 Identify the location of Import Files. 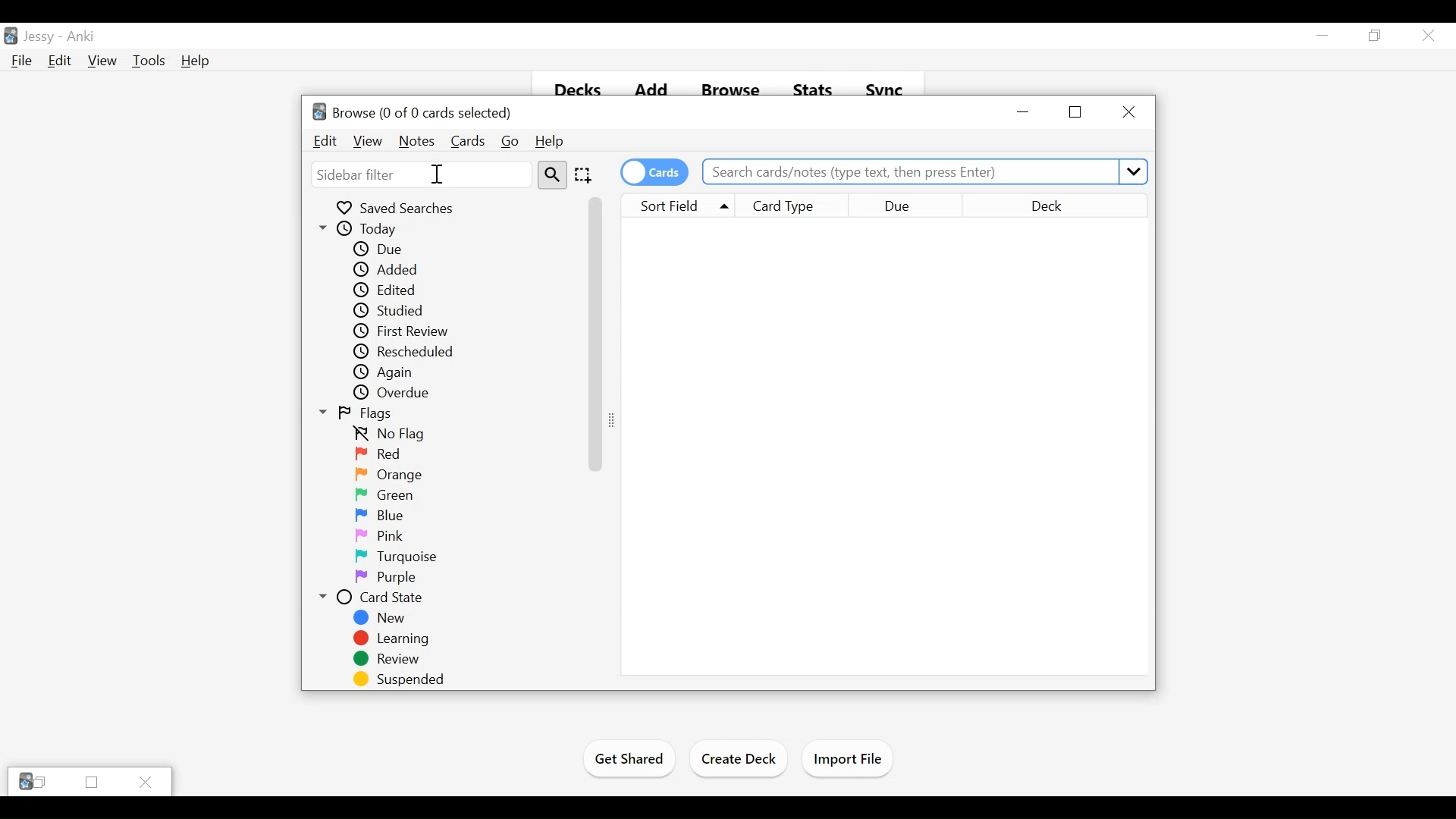
(848, 760).